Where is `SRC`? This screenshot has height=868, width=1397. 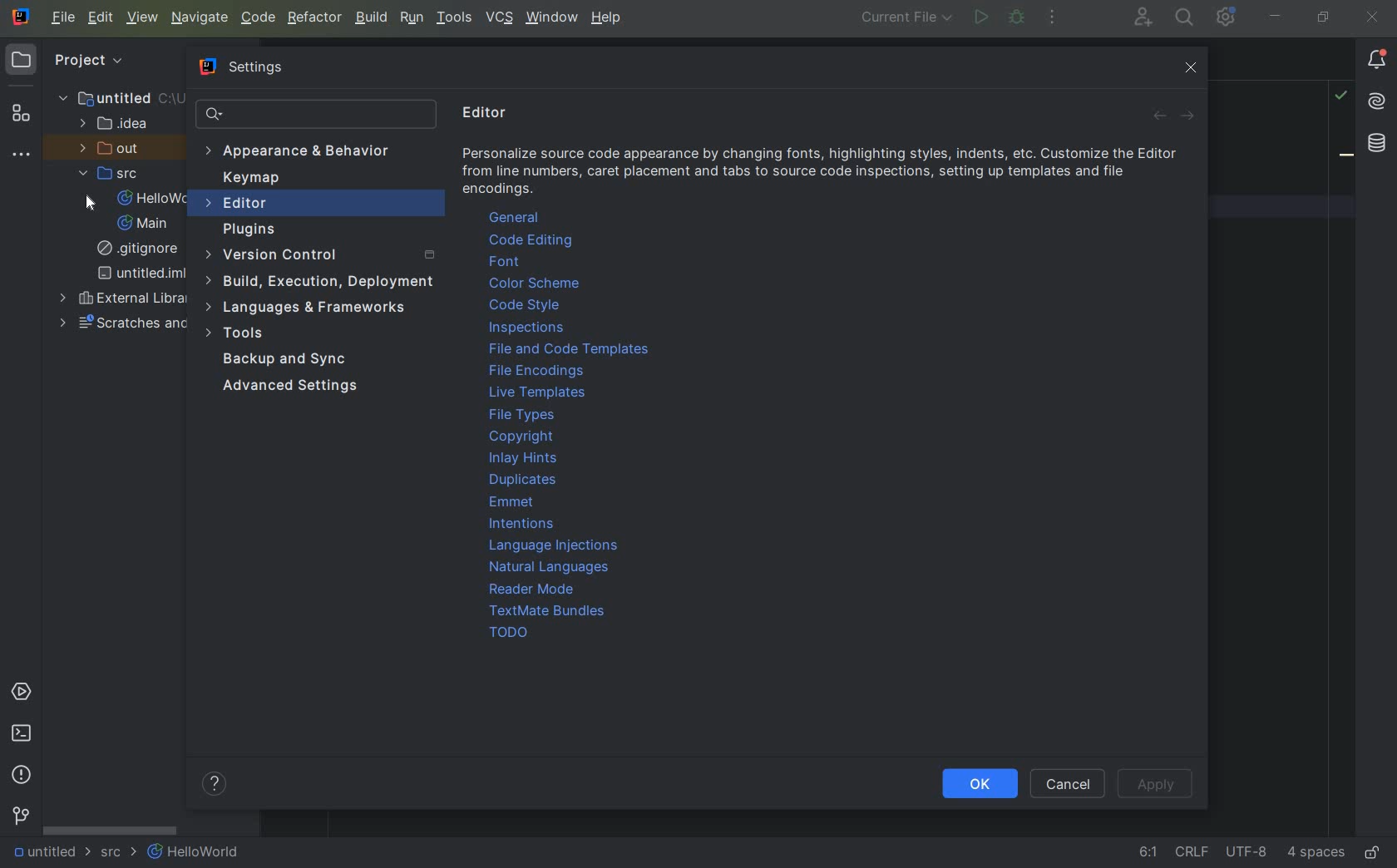
SRC is located at coordinates (110, 174).